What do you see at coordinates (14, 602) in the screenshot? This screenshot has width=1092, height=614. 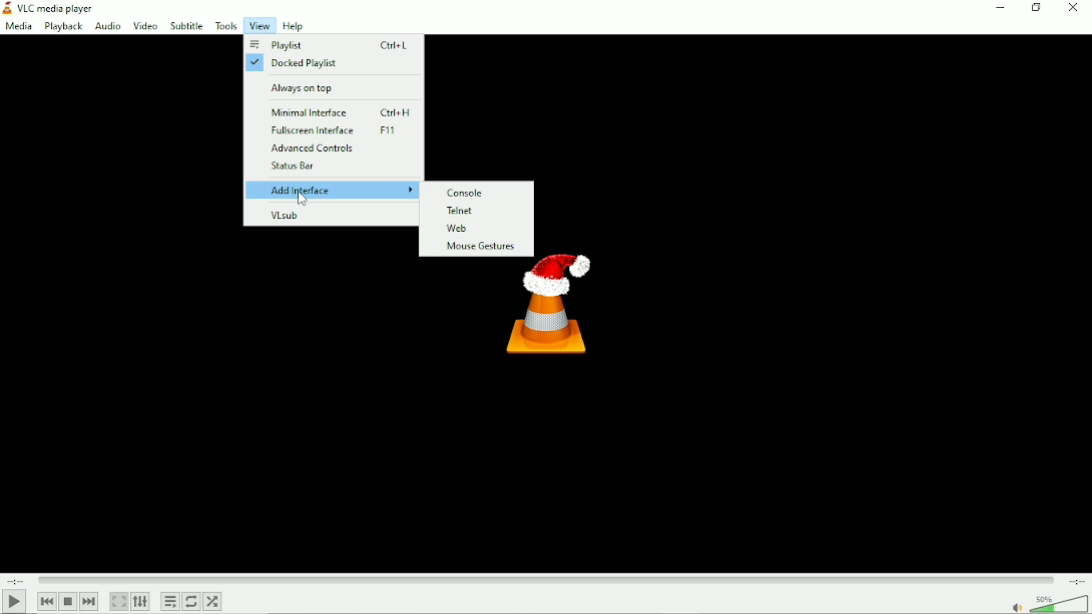 I see `Play` at bounding box center [14, 602].